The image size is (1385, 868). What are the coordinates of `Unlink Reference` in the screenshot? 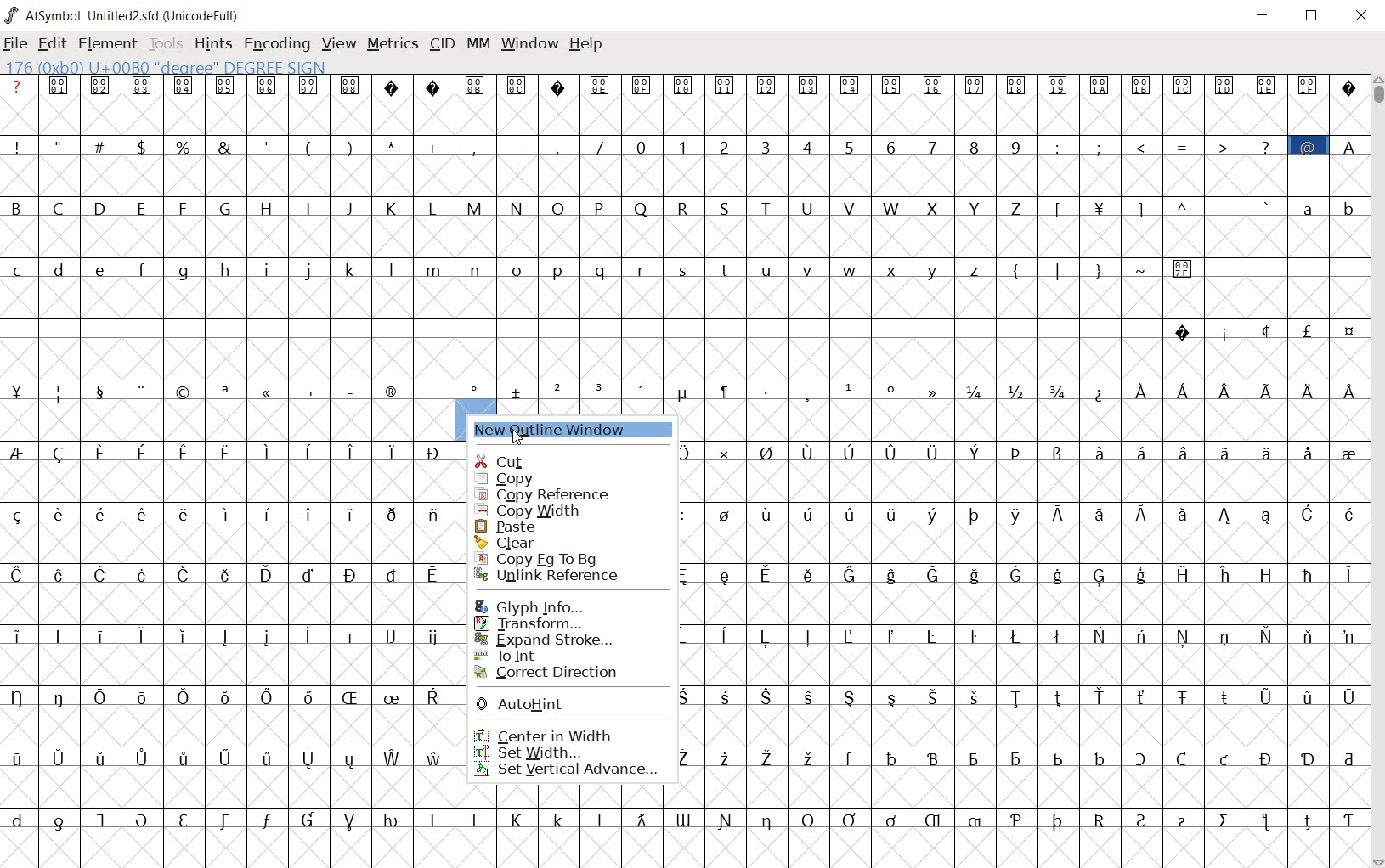 It's located at (570, 578).